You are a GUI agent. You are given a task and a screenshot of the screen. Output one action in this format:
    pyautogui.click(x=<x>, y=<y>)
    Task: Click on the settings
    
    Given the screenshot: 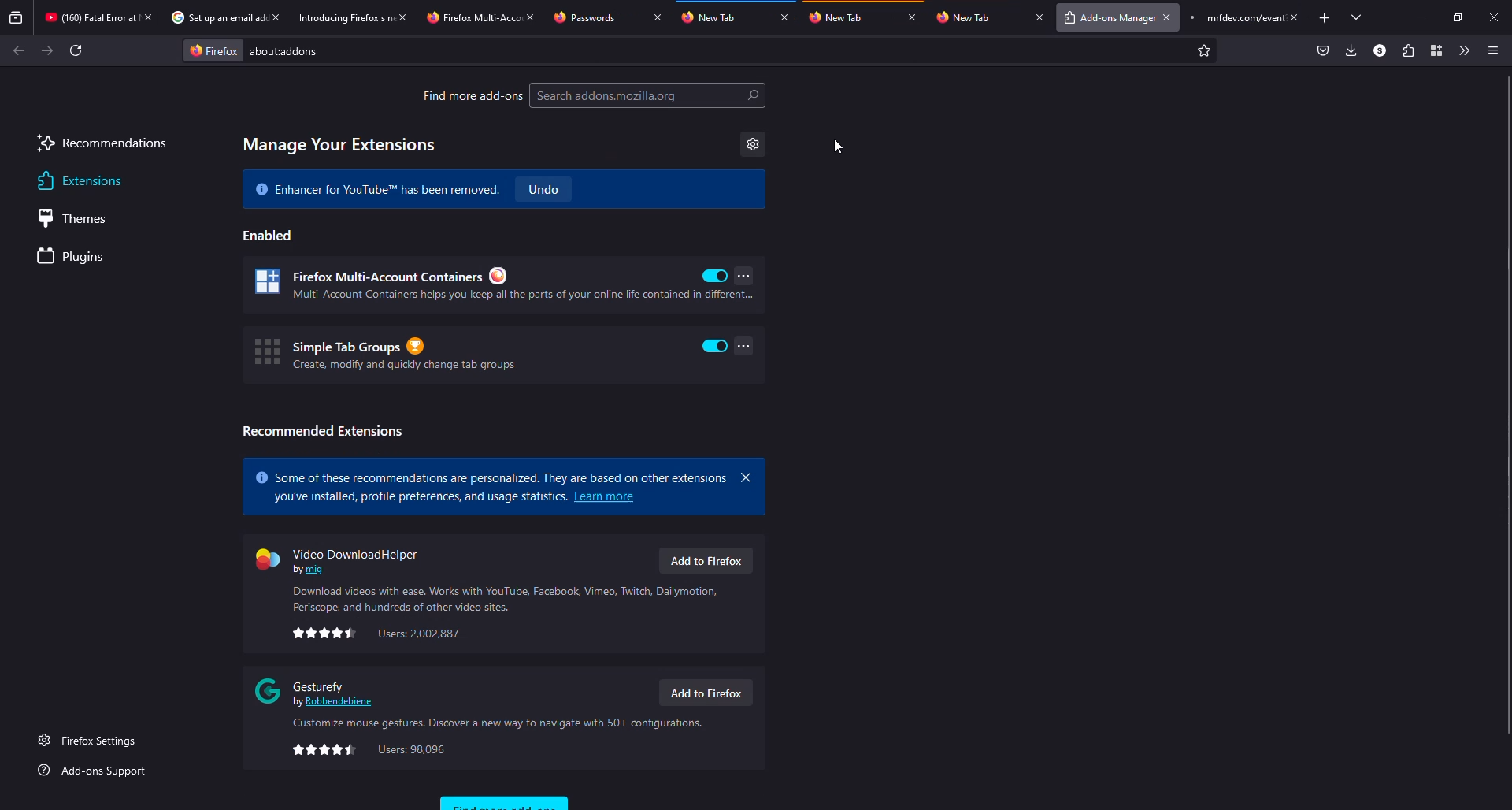 What is the action you would take?
    pyautogui.click(x=753, y=144)
    